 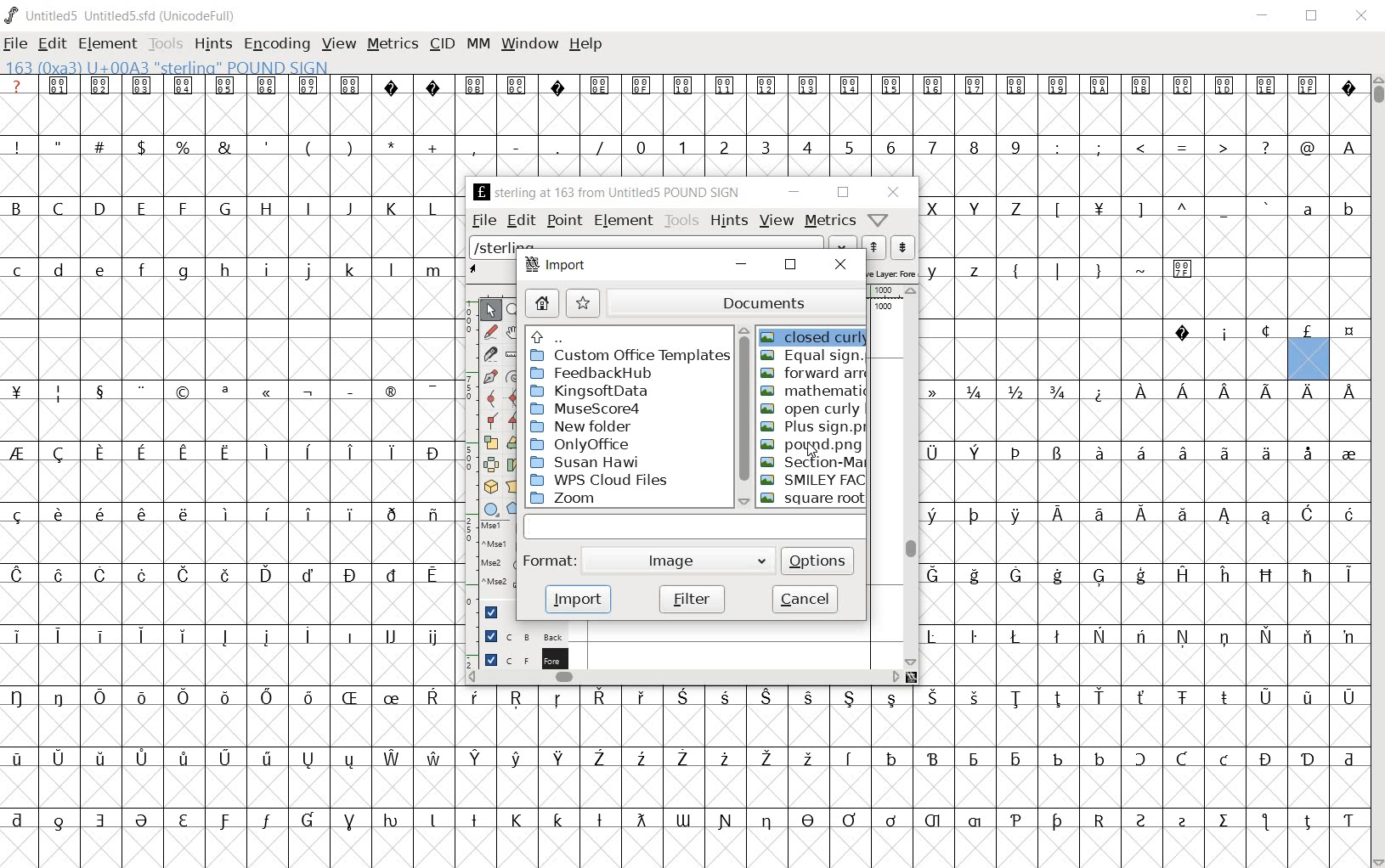 What do you see at coordinates (684, 86) in the screenshot?
I see `Symbol` at bounding box center [684, 86].